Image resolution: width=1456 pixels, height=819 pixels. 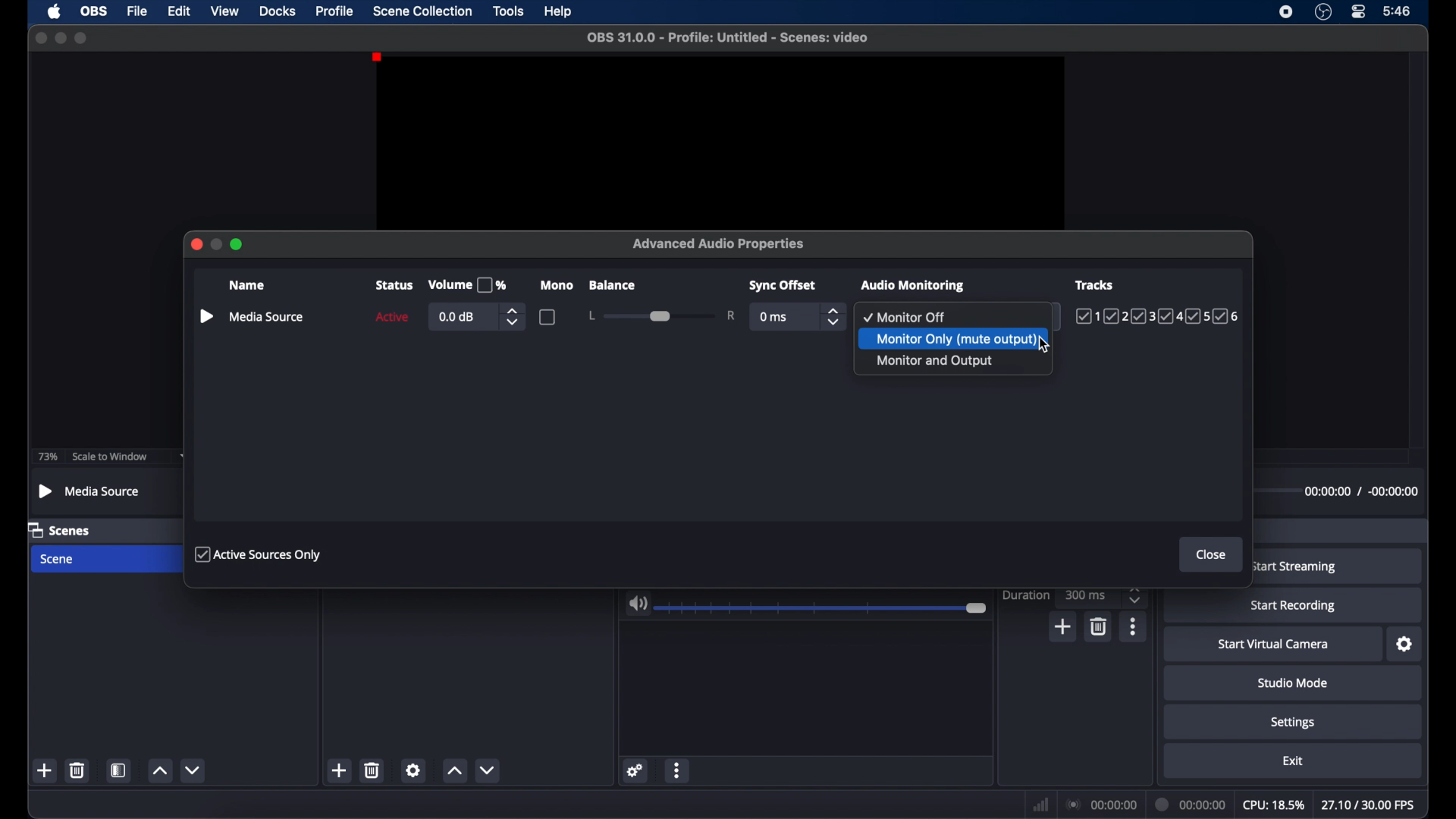 What do you see at coordinates (90, 491) in the screenshot?
I see `media source` at bounding box center [90, 491].